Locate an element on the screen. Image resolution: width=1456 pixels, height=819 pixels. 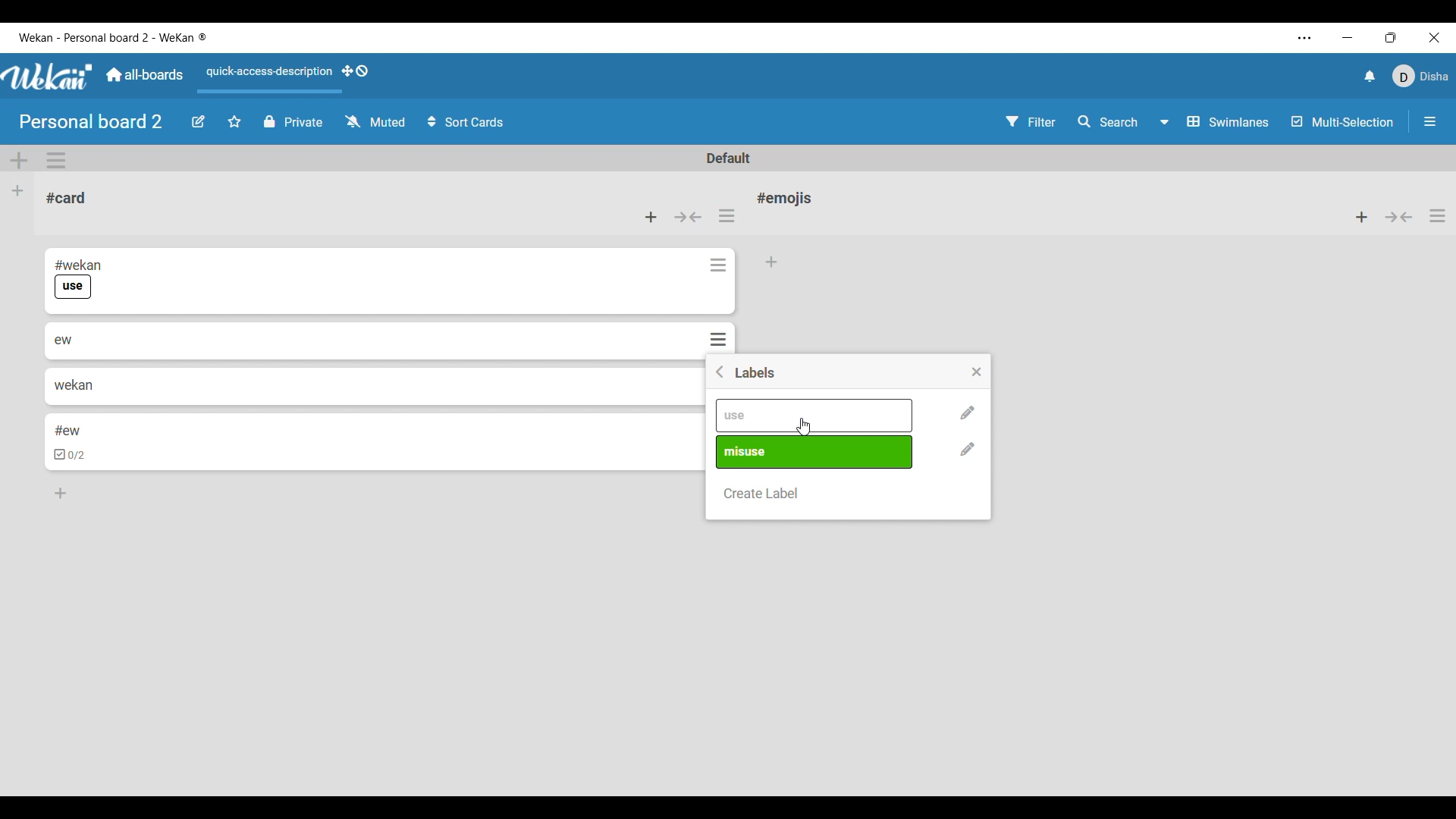
Filter settings is located at coordinates (1031, 121).